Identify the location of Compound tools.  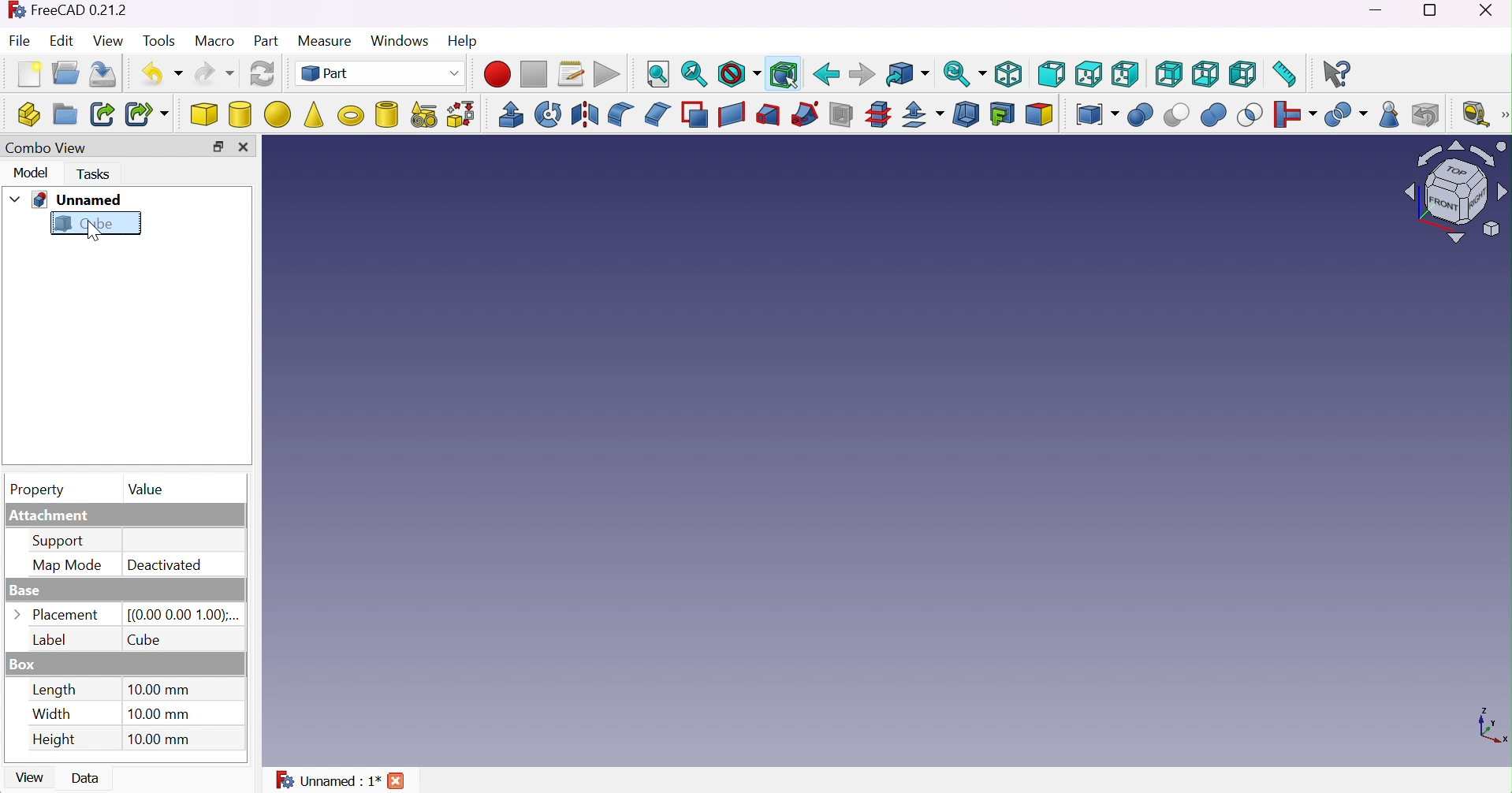
(1097, 115).